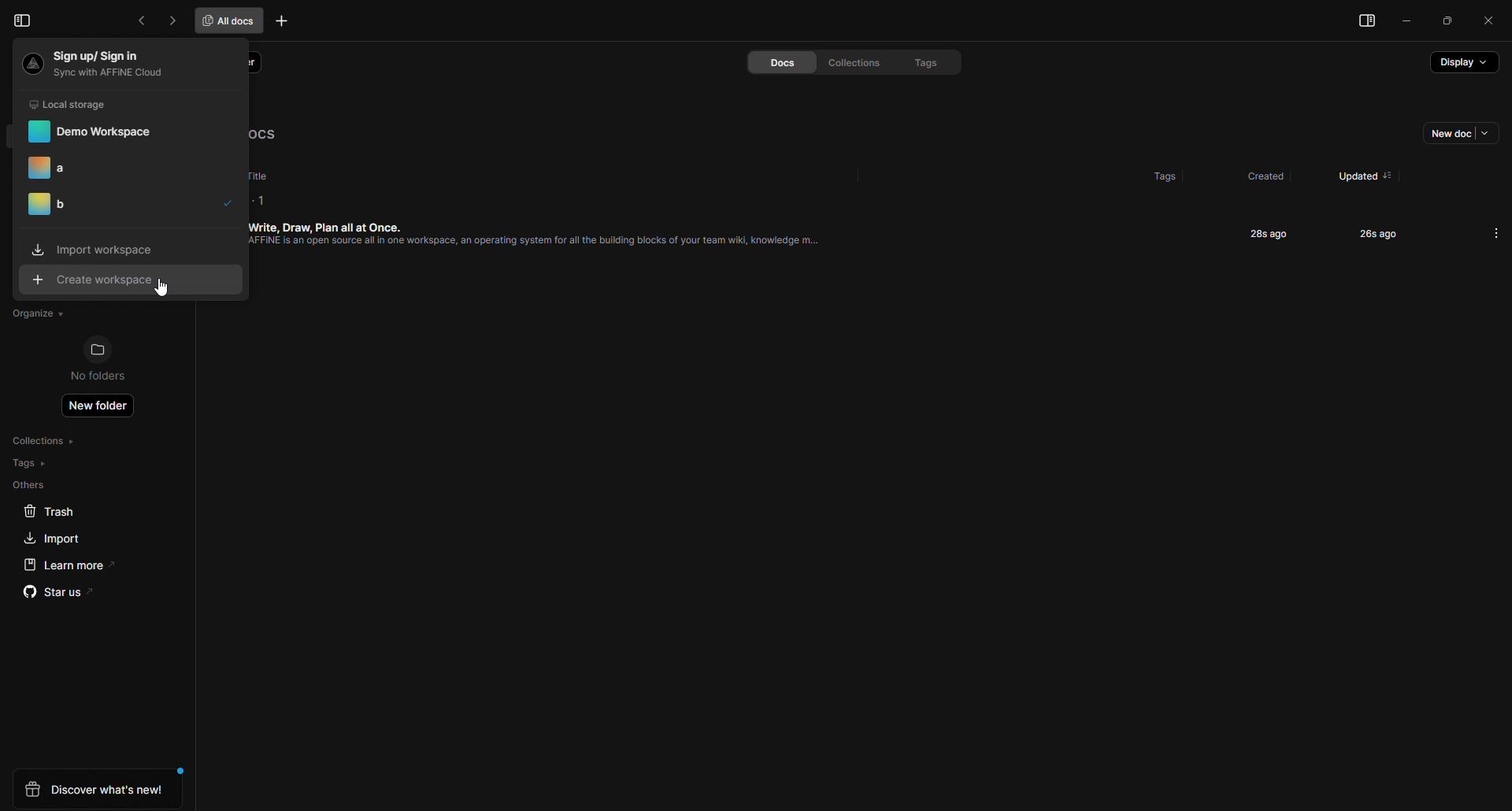 This screenshot has width=1512, height=811. I want to click on time, so click(1265, 233).